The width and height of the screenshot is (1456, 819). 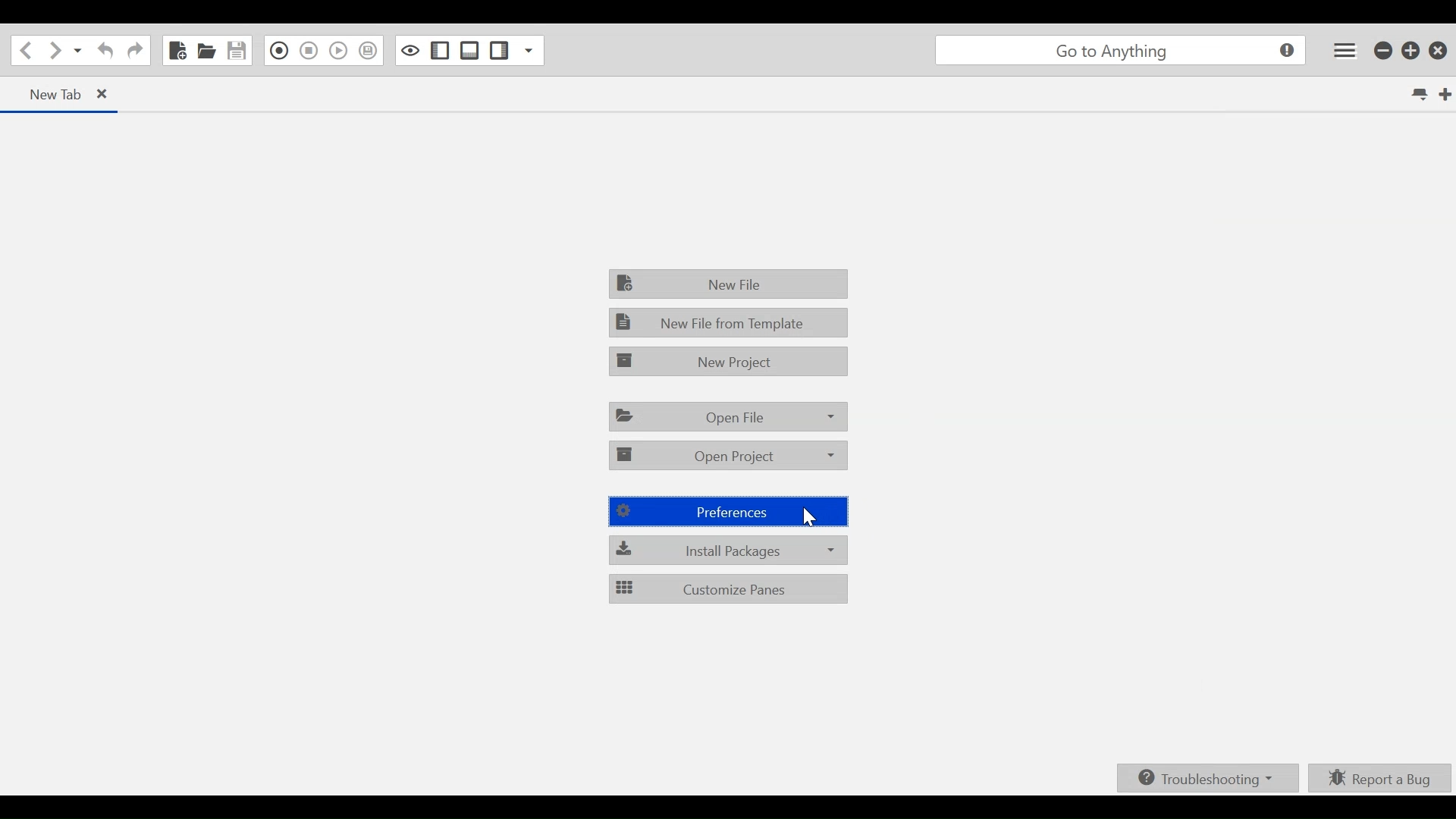 I want to click on Stop Recording in Macro, so click(x=368, y=51).